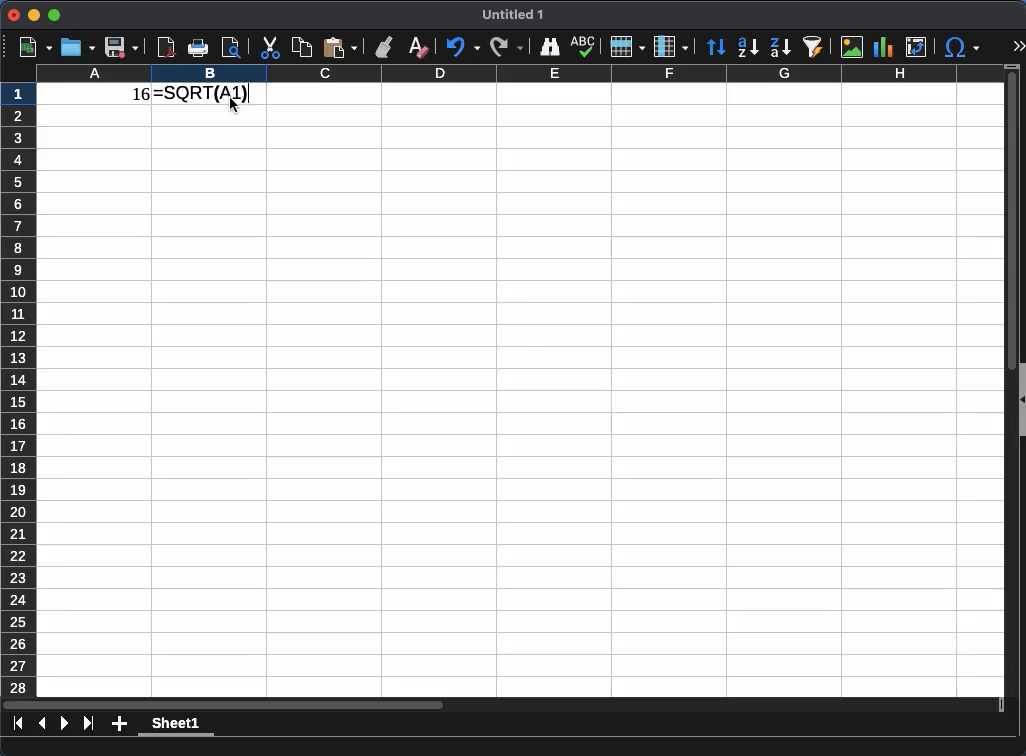 This screenshot has height=756, width=1026. I want to click on last sheet, so click(88, 723).